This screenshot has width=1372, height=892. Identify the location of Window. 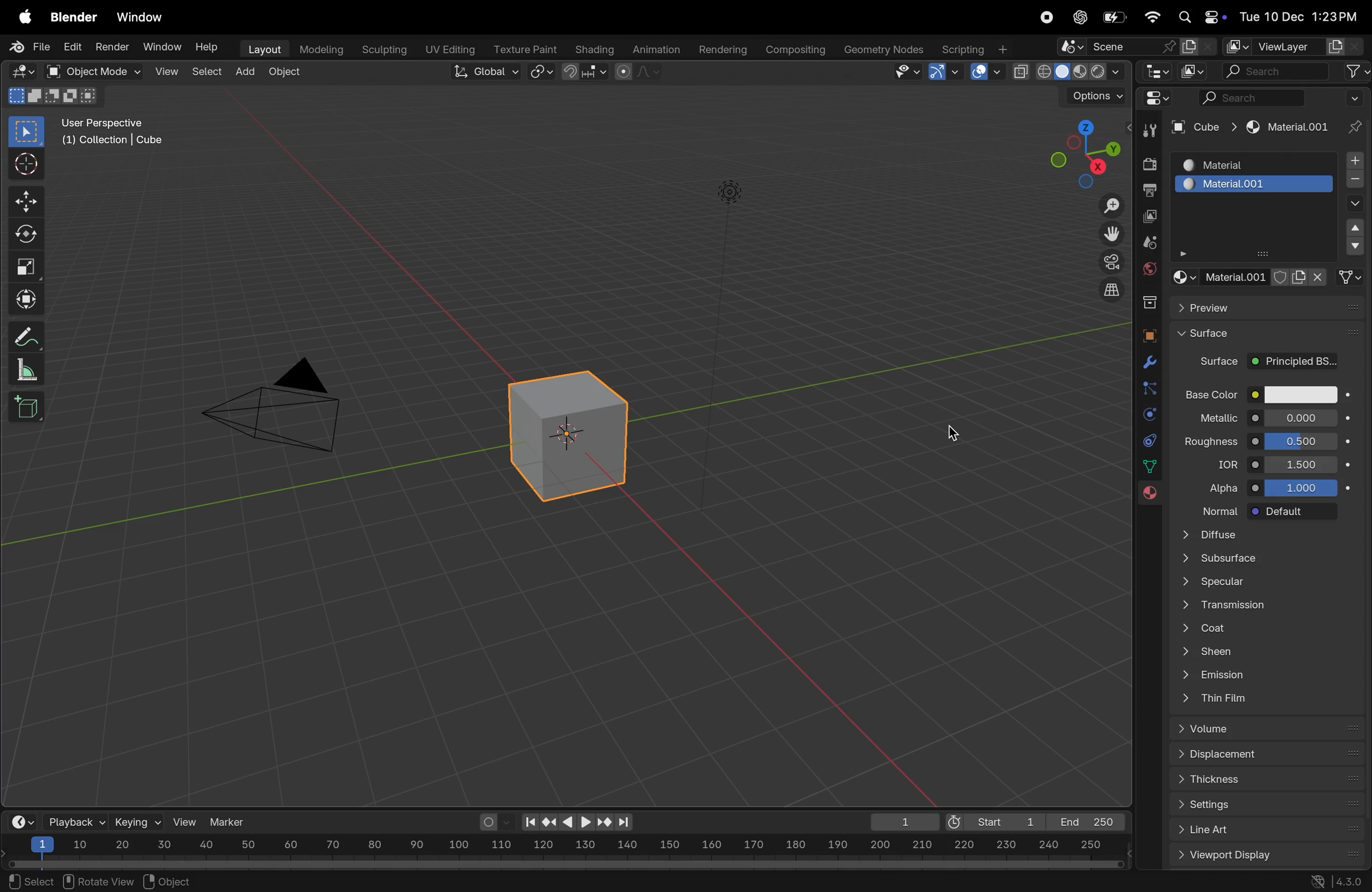
(163, 47).